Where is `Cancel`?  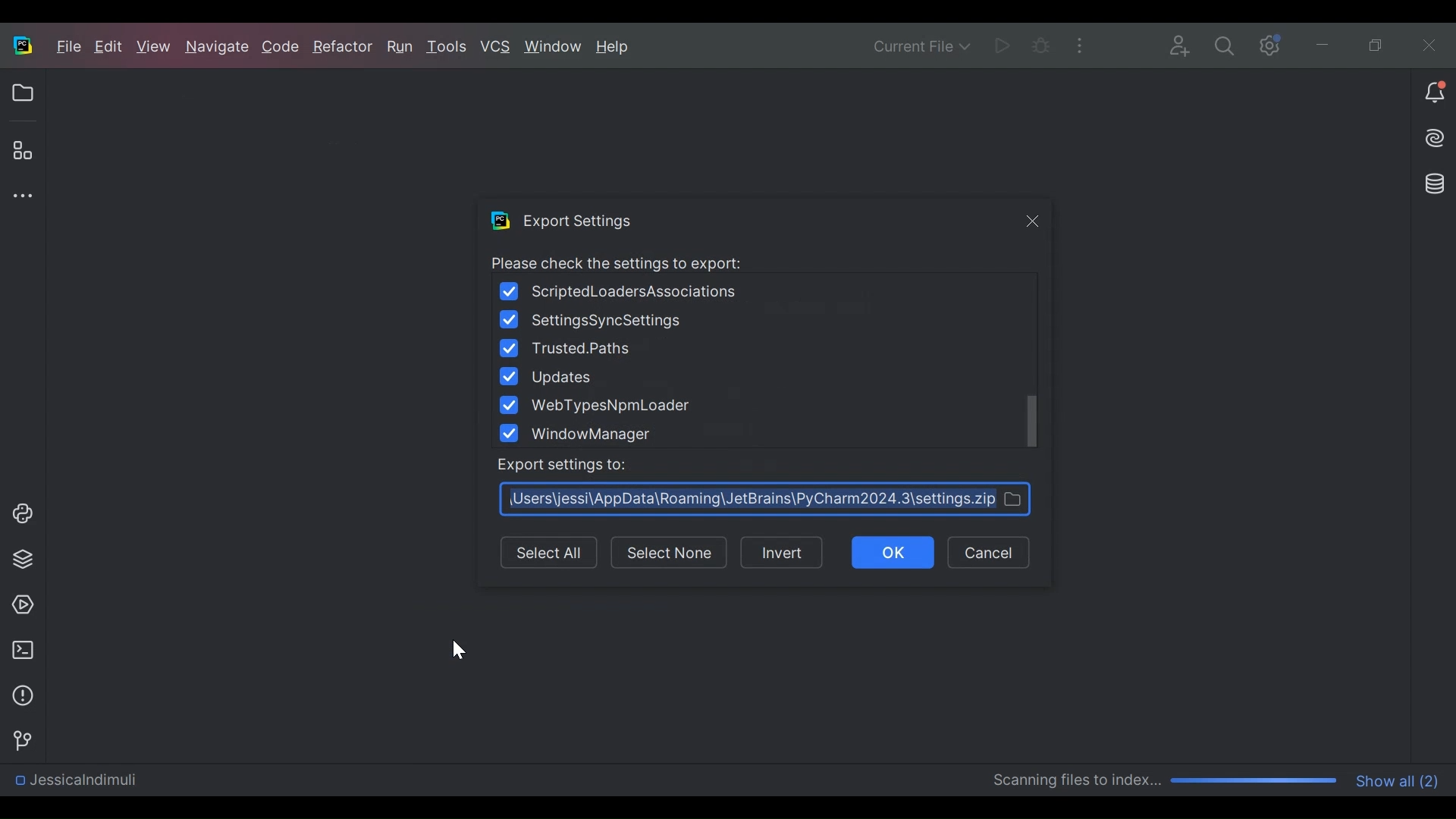 Cancel is located at coordinates (991, 553).